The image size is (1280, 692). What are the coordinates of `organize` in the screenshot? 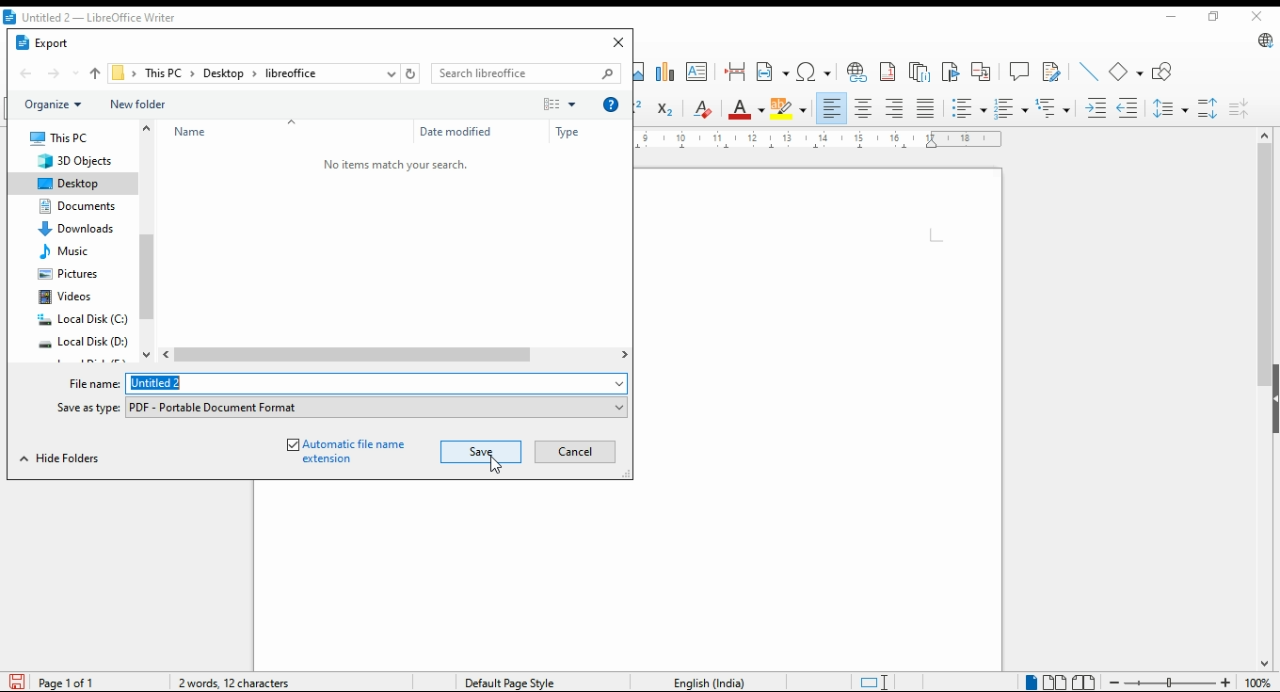 It's located at (53, 103).